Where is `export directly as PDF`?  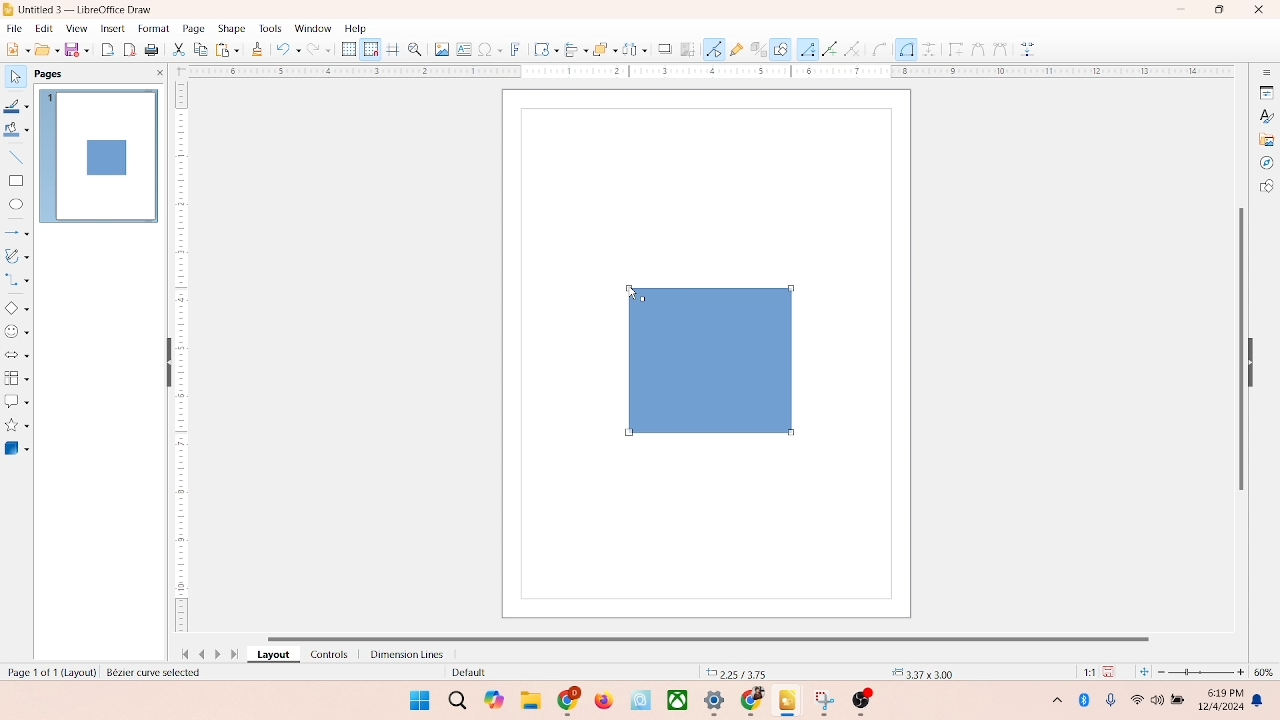 export directly as PDF is located at coordinates (131, 49).